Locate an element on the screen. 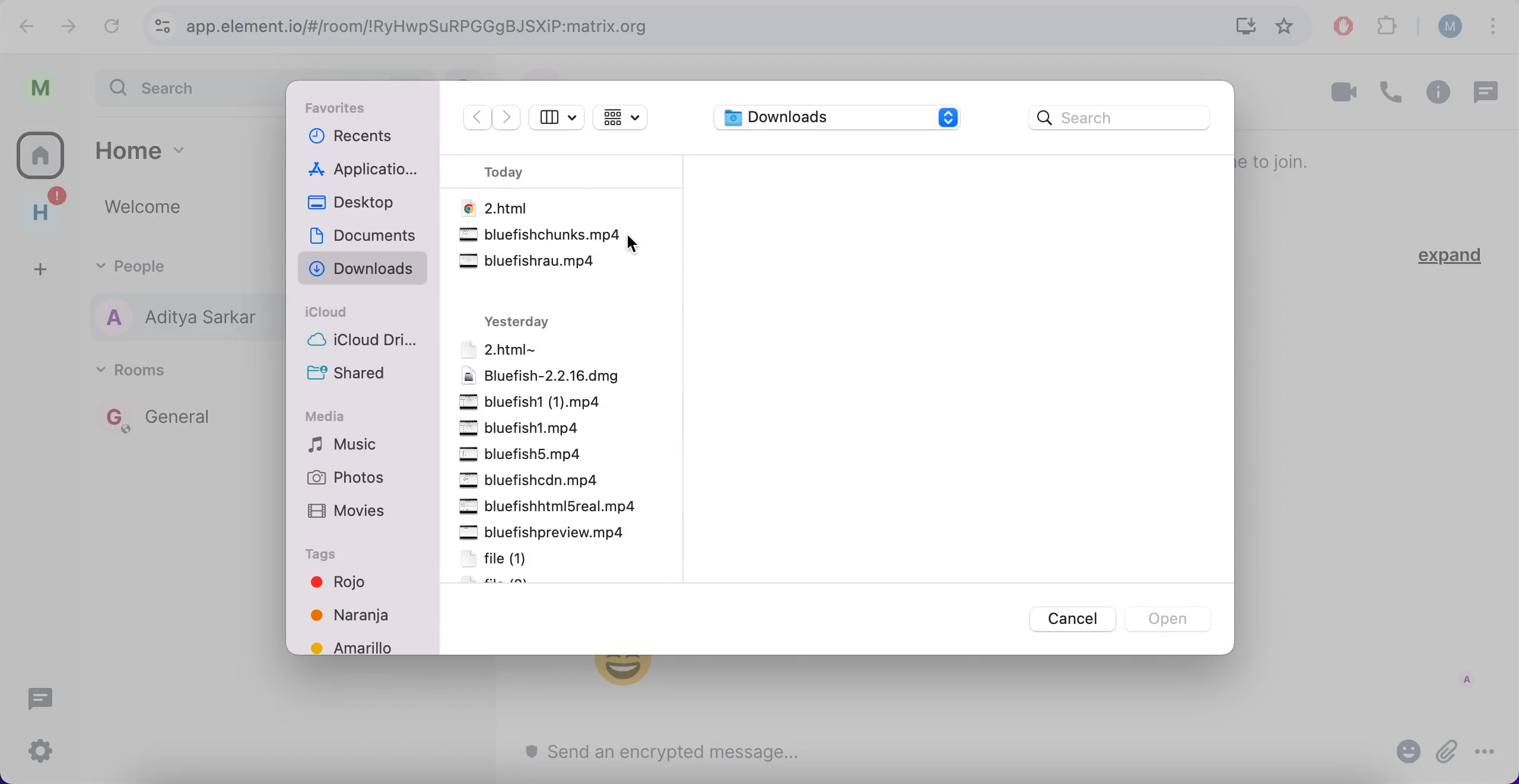 This screenshot has width=1519, height=784. file is located at coordinates (529, 400).